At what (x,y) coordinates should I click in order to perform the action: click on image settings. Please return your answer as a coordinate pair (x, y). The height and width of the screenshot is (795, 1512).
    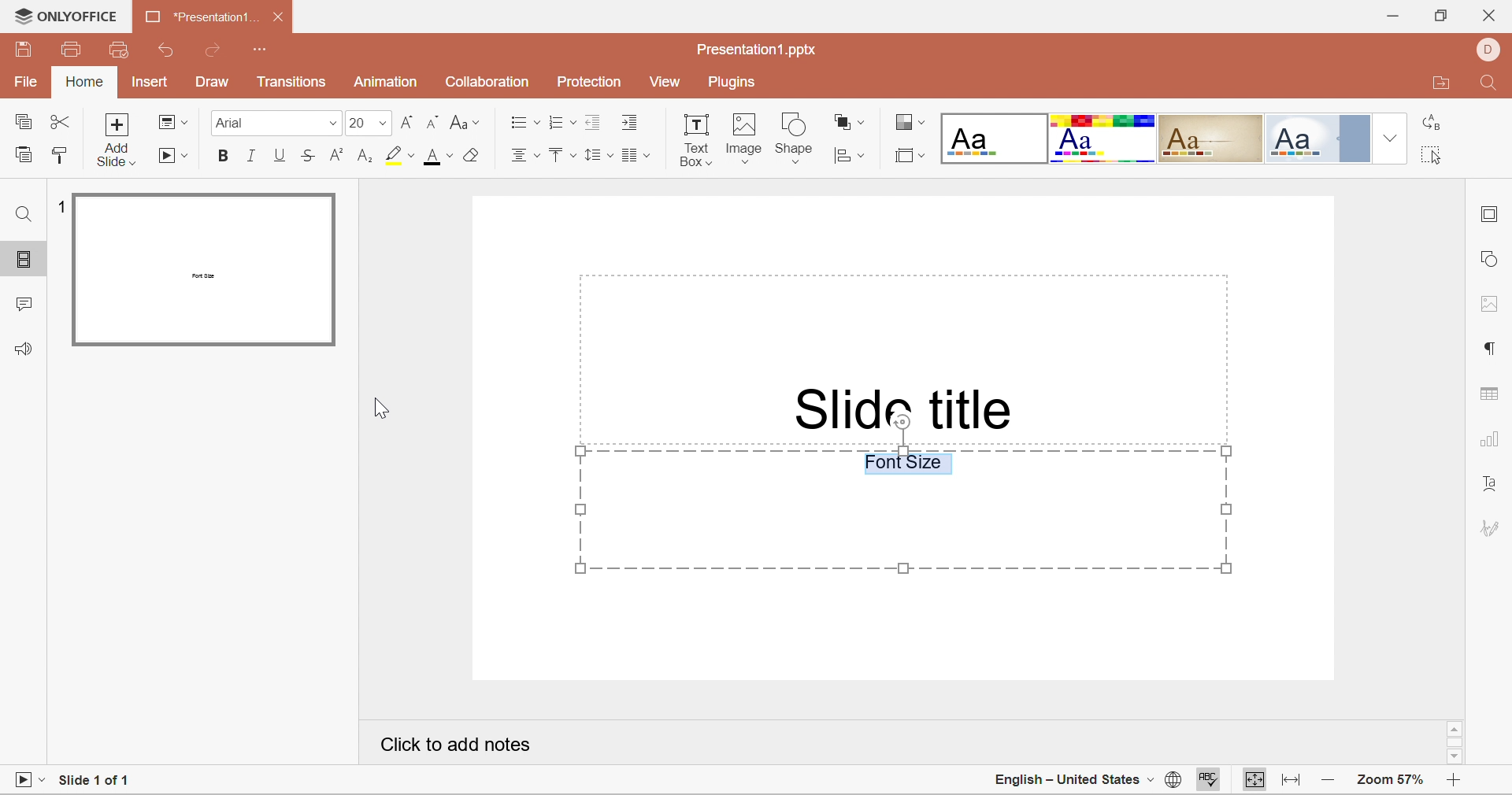
    Looking at the image, I should click on (1491, 304).